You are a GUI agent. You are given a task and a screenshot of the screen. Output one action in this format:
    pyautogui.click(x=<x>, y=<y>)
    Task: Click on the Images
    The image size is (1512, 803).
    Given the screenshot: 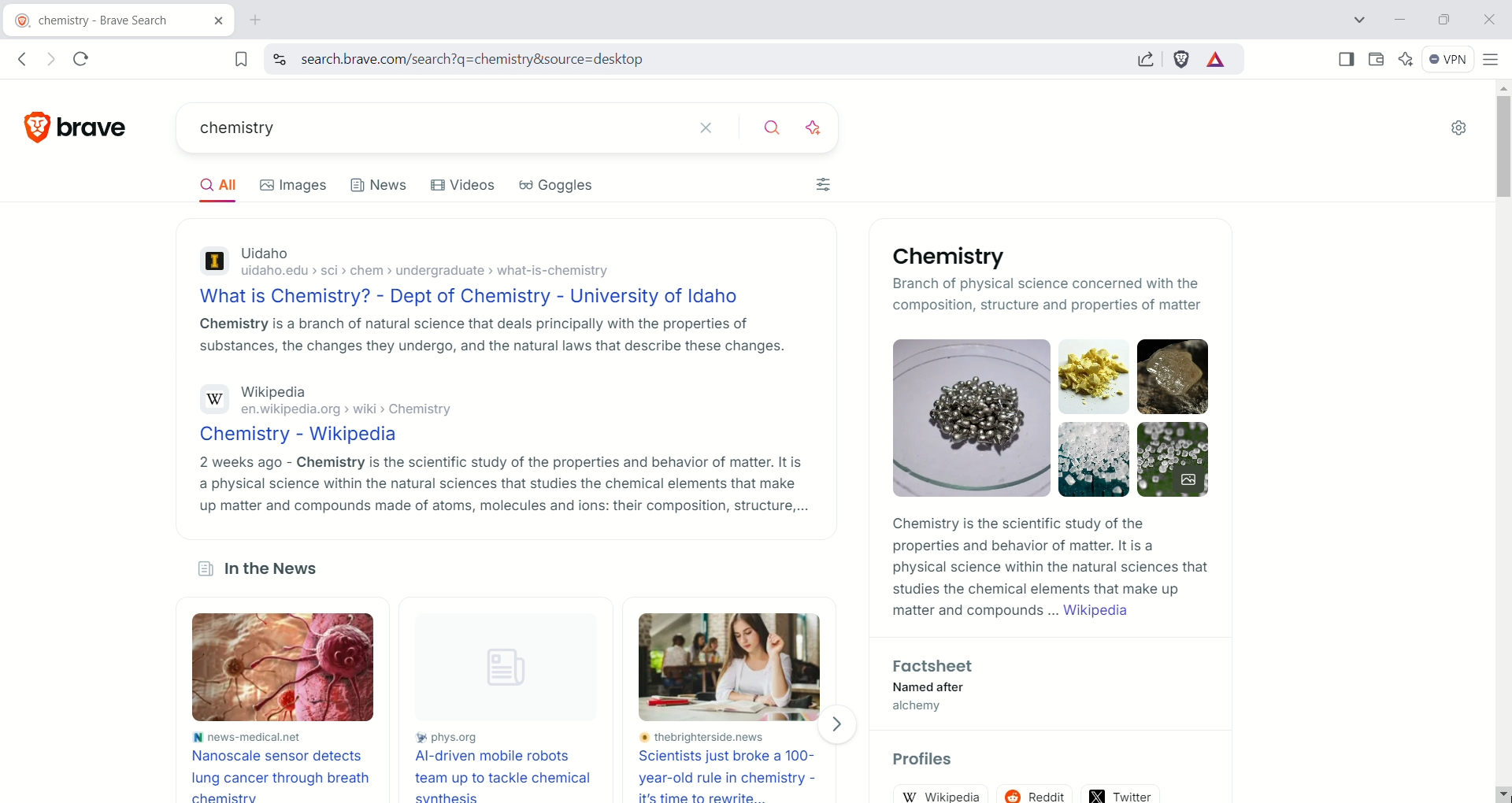 What is the action you would take?
    pyautogui.click(x=301, y=185)
    